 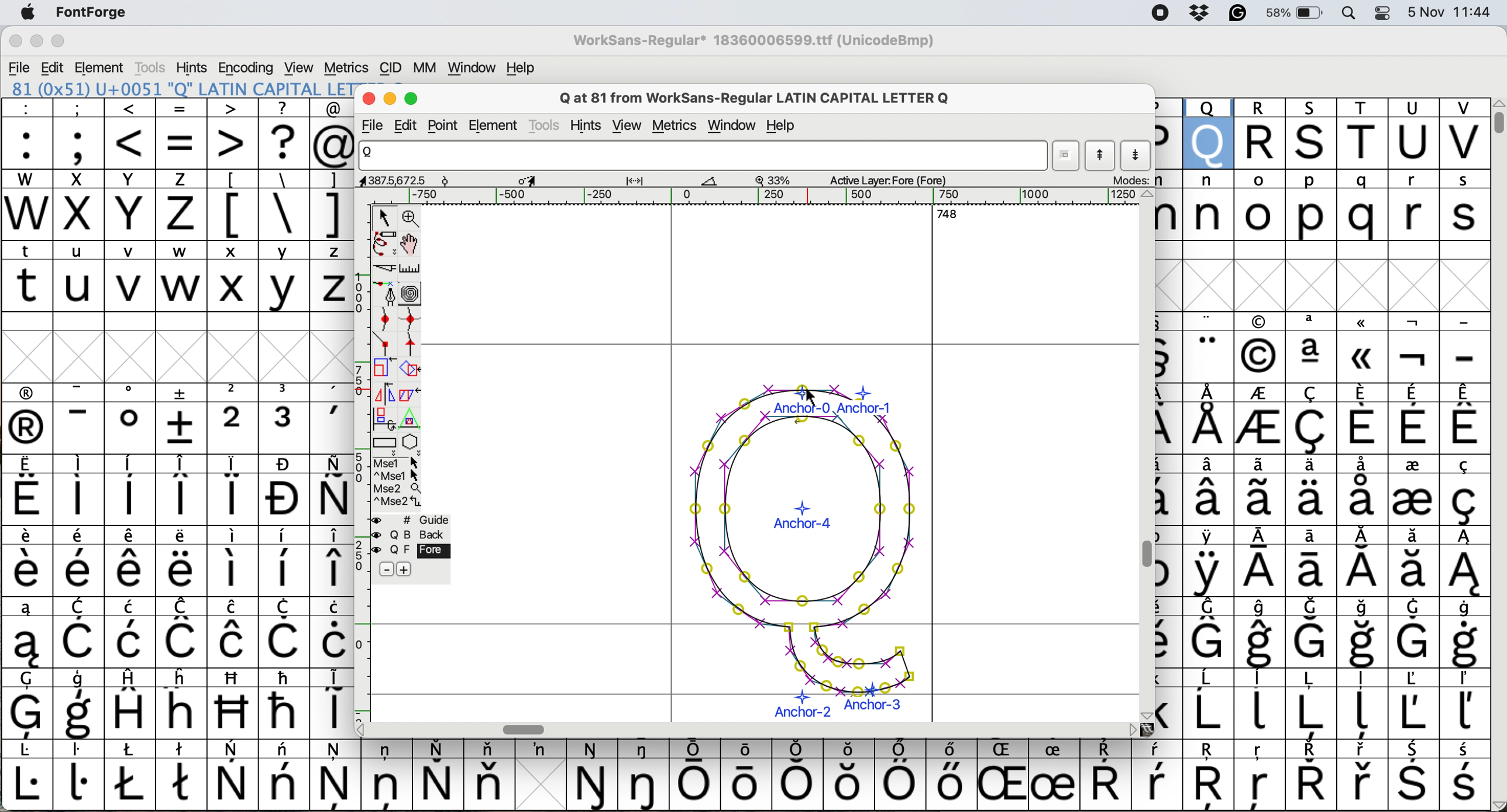 What do you see at coordinates (247, 66) in the screenshot?
I see `encoding` at bounding box center [247, 66].